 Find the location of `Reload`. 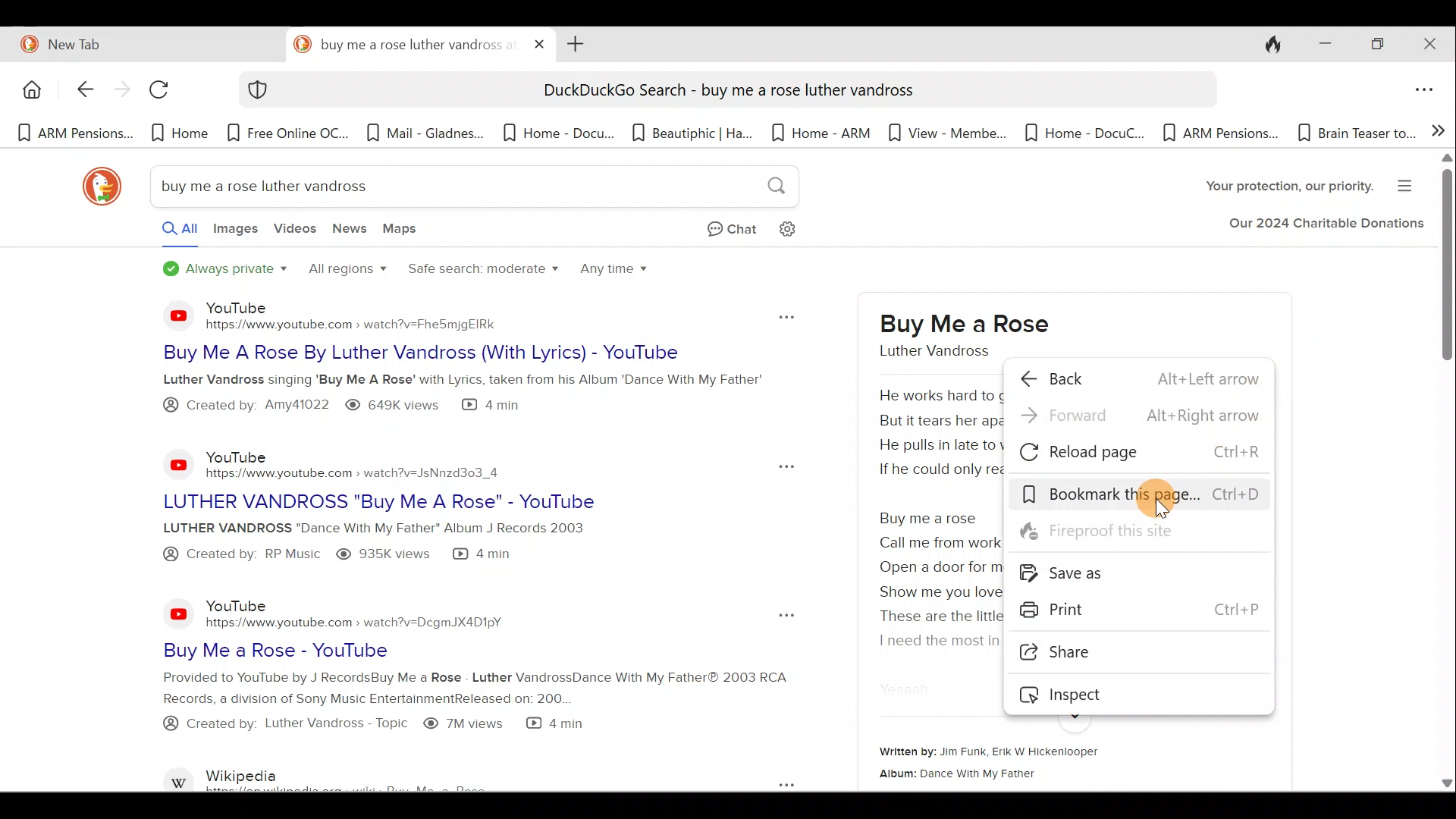

Reload is located at coordinates (1138, 454).